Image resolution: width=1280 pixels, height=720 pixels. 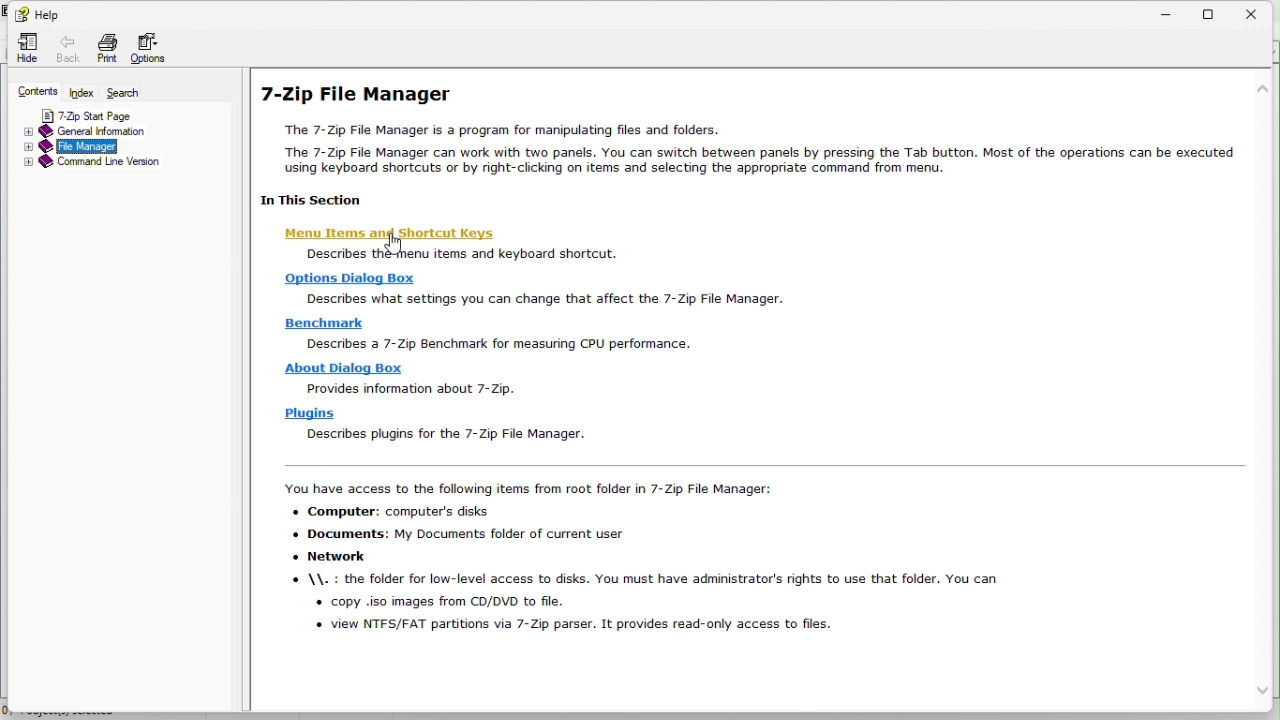 I want to click on File manager, so click(x=118, y=147).